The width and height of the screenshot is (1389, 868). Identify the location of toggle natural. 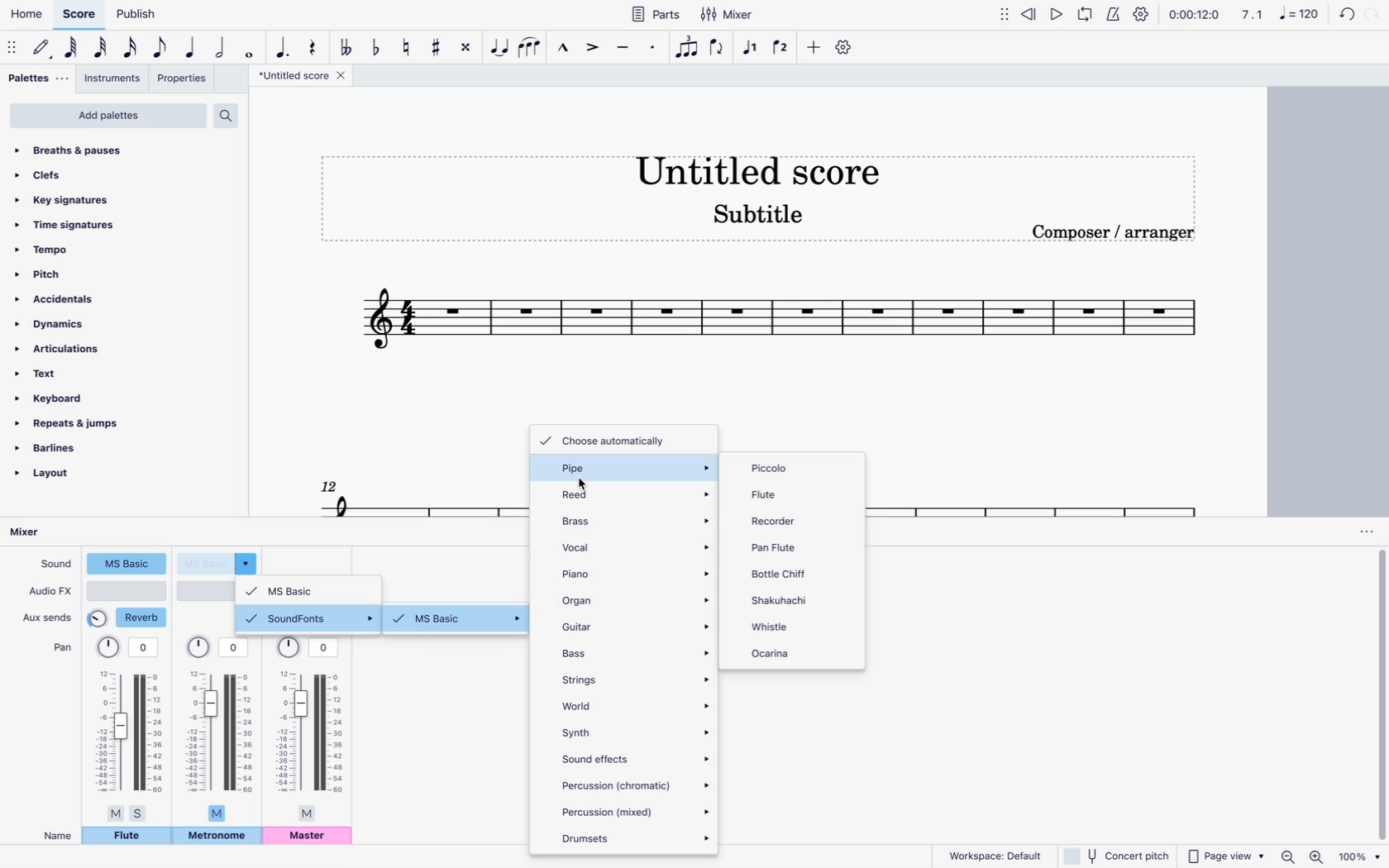
(408, 46).